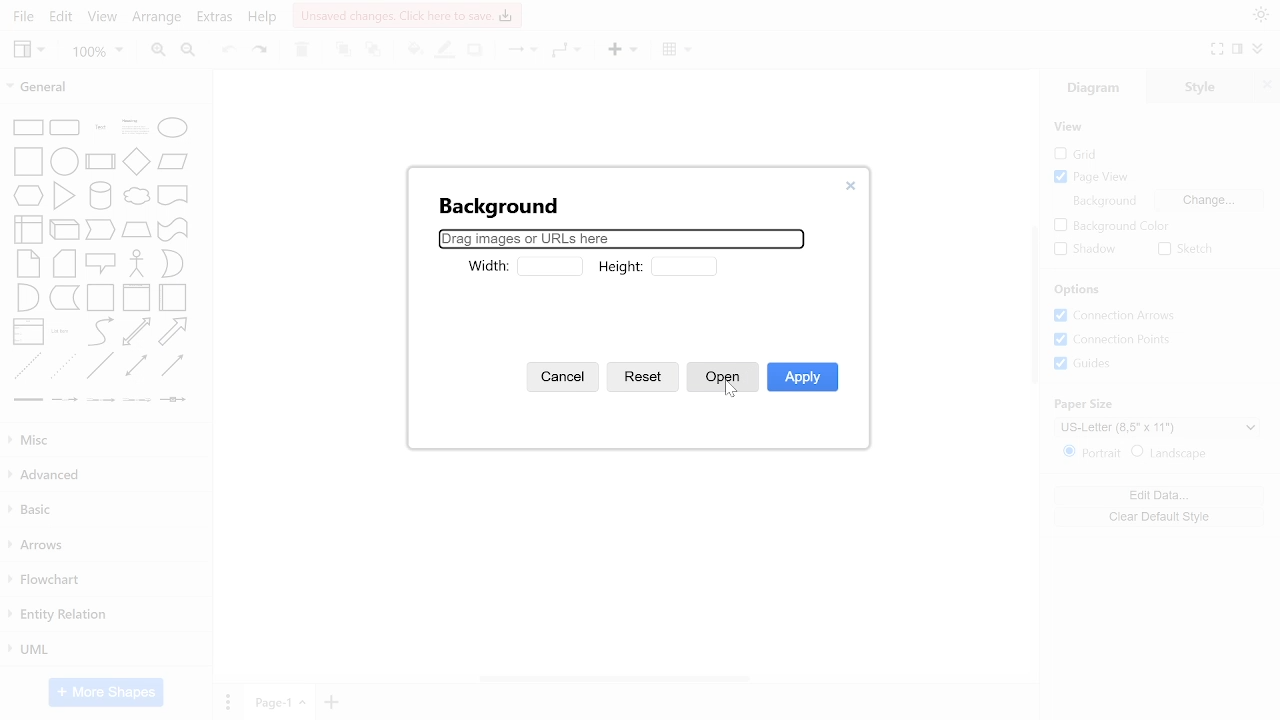  What do you see at coordinates (330, 703) in the screenshot?
I see `add page` at bounding box center [330, 703].